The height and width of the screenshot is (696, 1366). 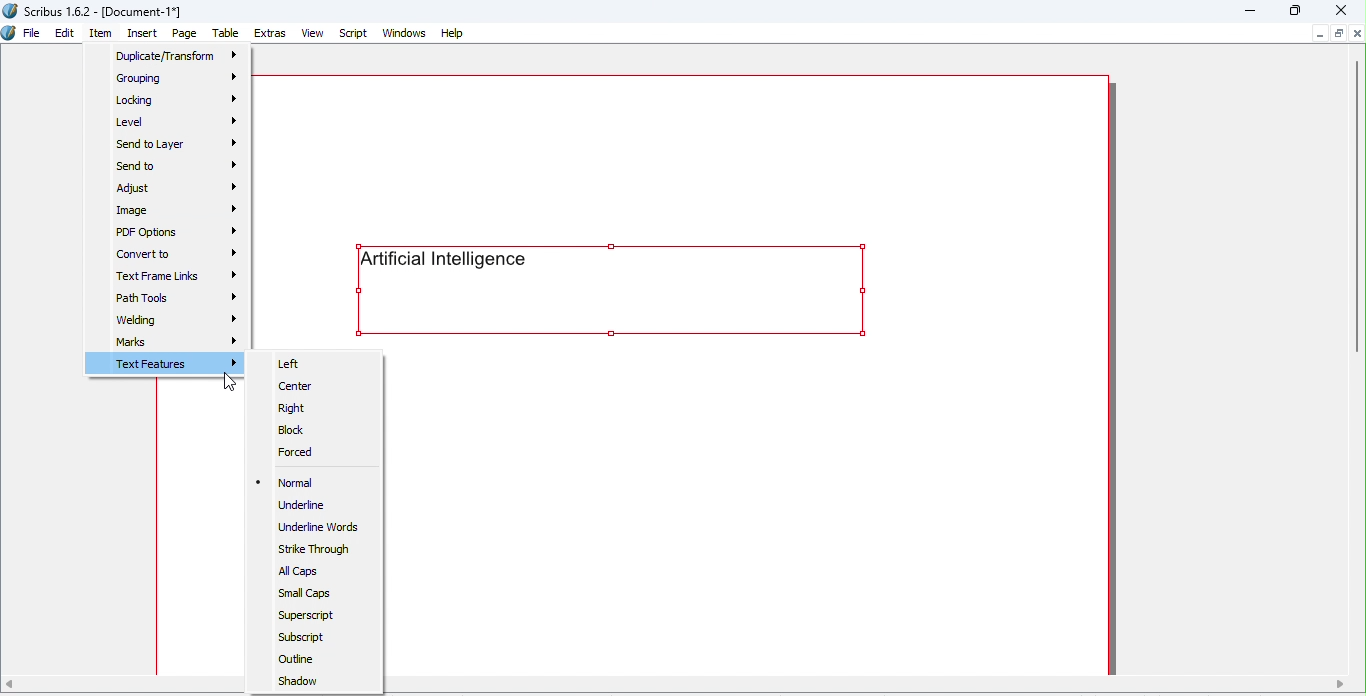 What do you see at coordinates (298, 449) in the screenshot?
I see `Forced` at bounding box center [298, 449].